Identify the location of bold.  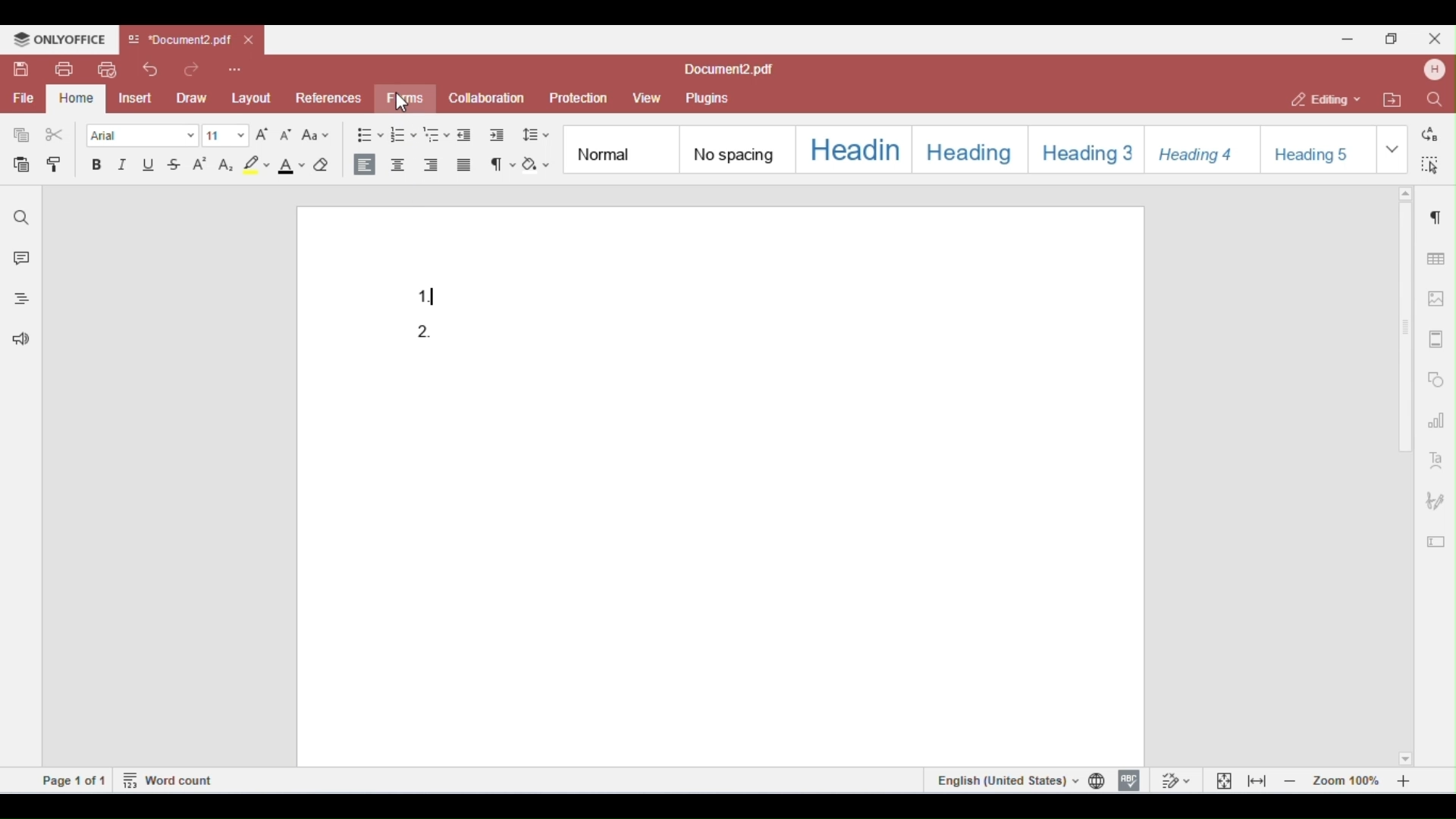
(97, 165).